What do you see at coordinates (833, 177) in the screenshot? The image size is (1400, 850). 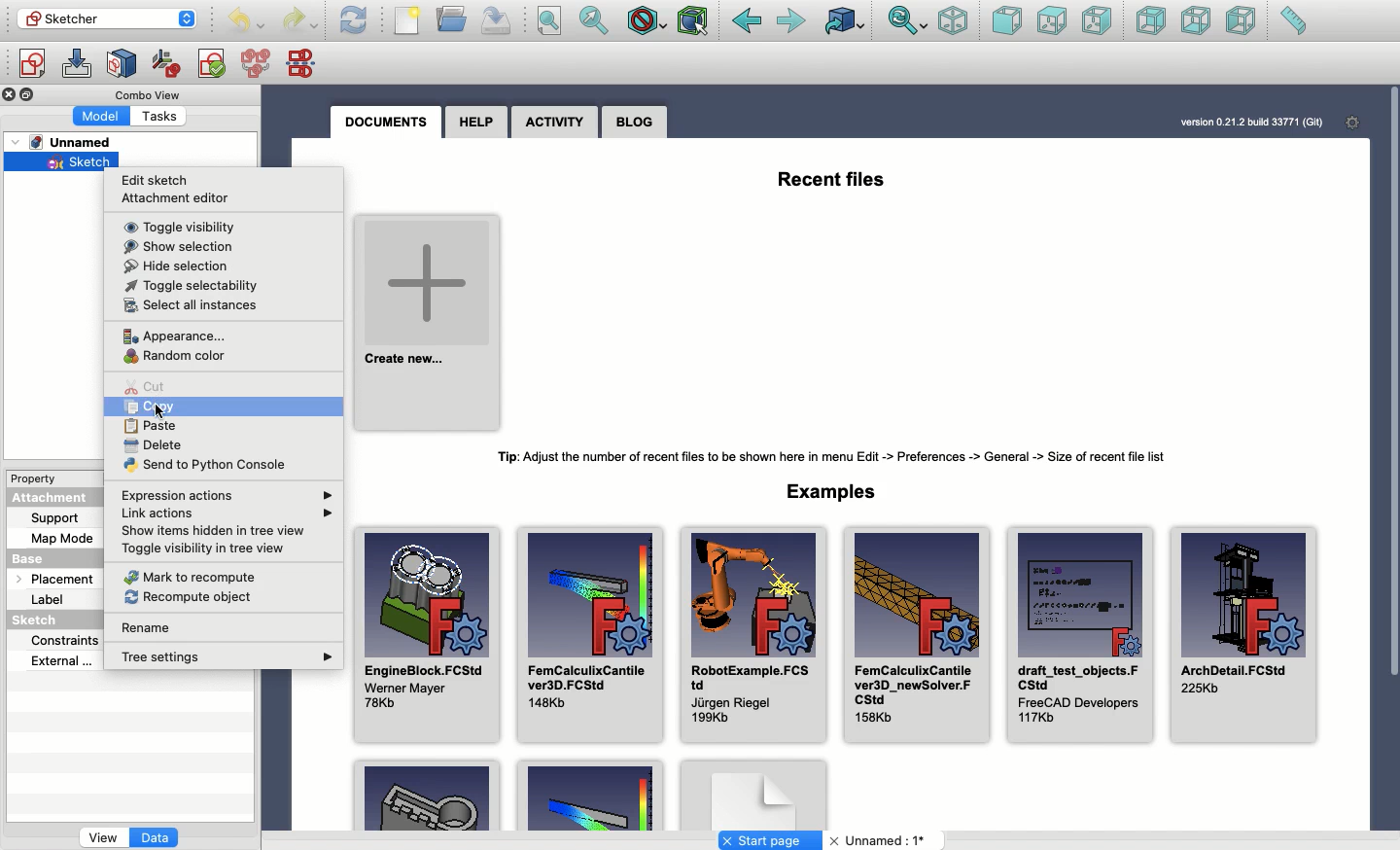 I see `Recent files` at bounding box center [833, 177].